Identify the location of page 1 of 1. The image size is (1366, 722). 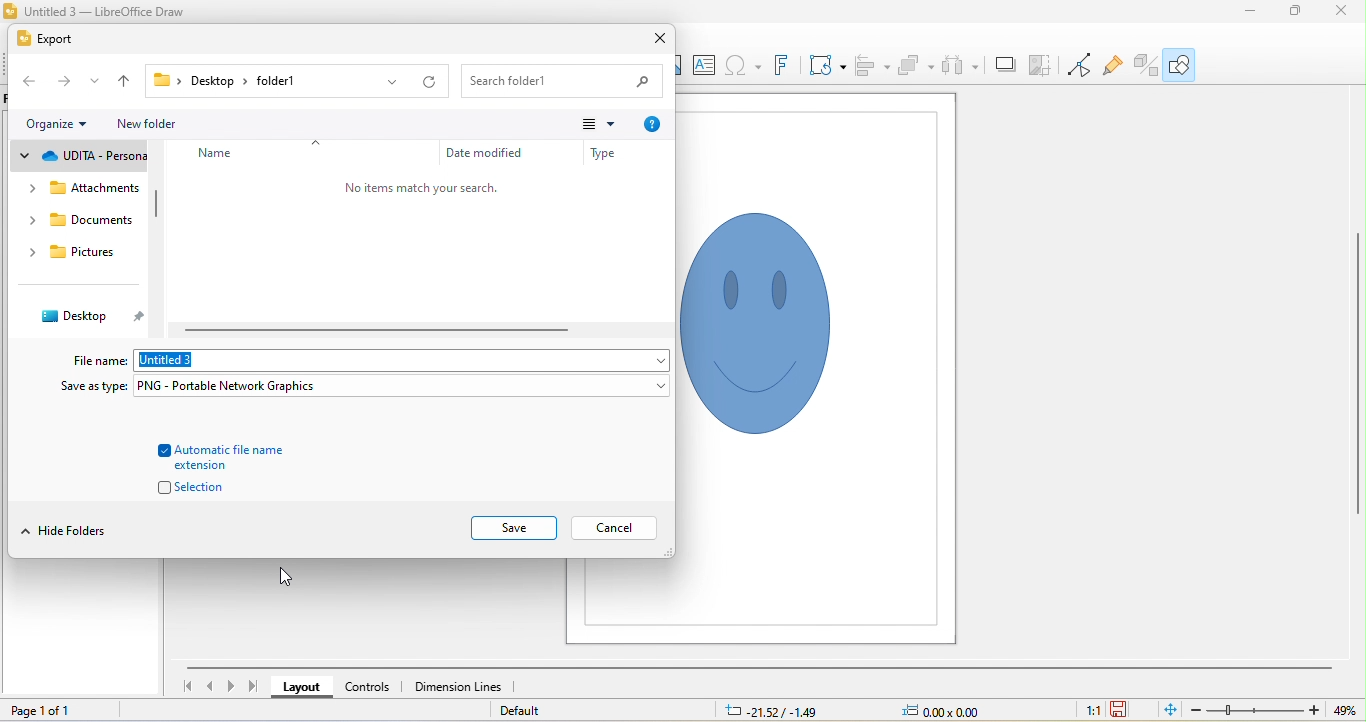
(42, 711).